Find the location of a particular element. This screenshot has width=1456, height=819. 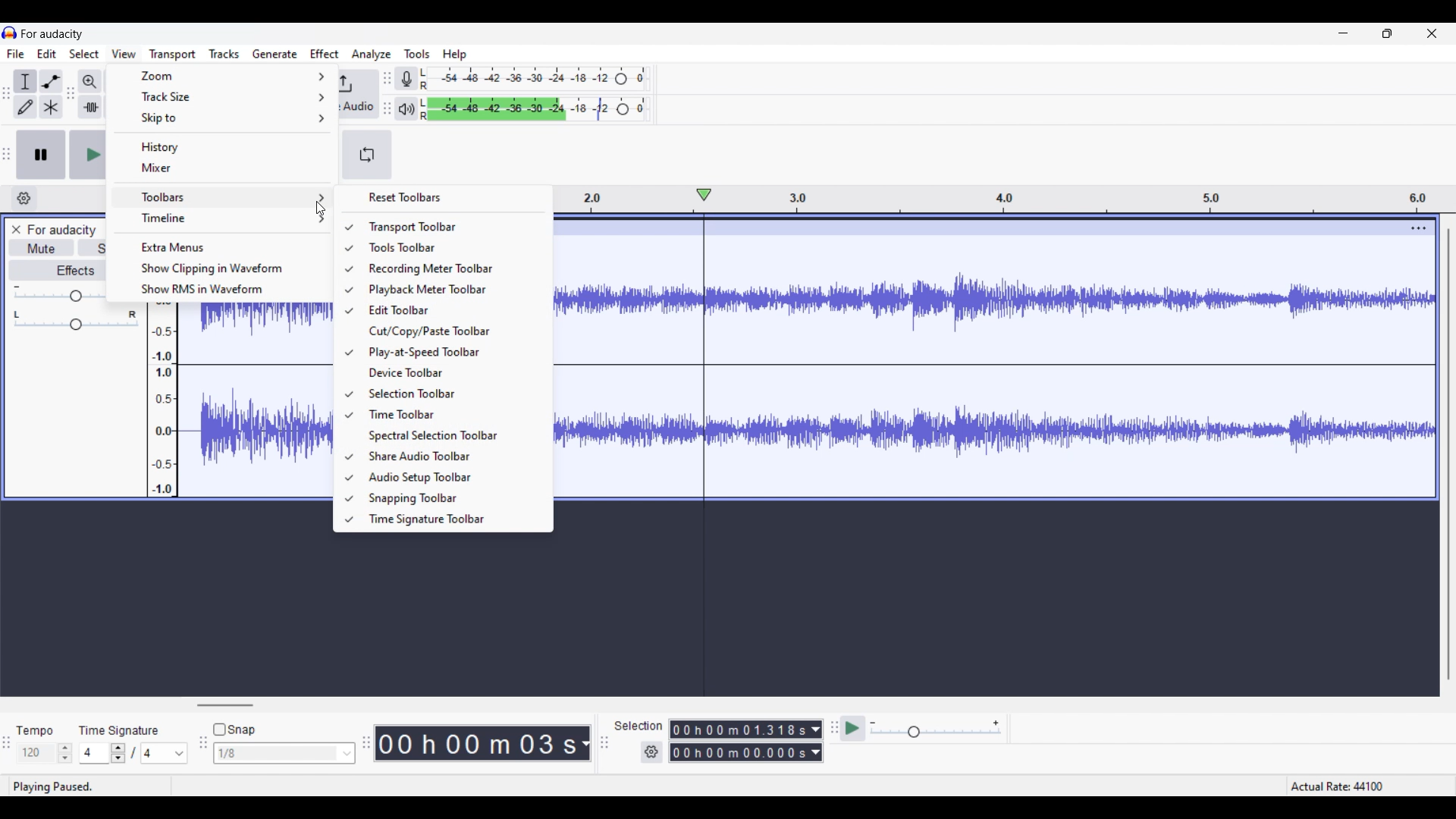

Project name is located at coordinates (61, 230).